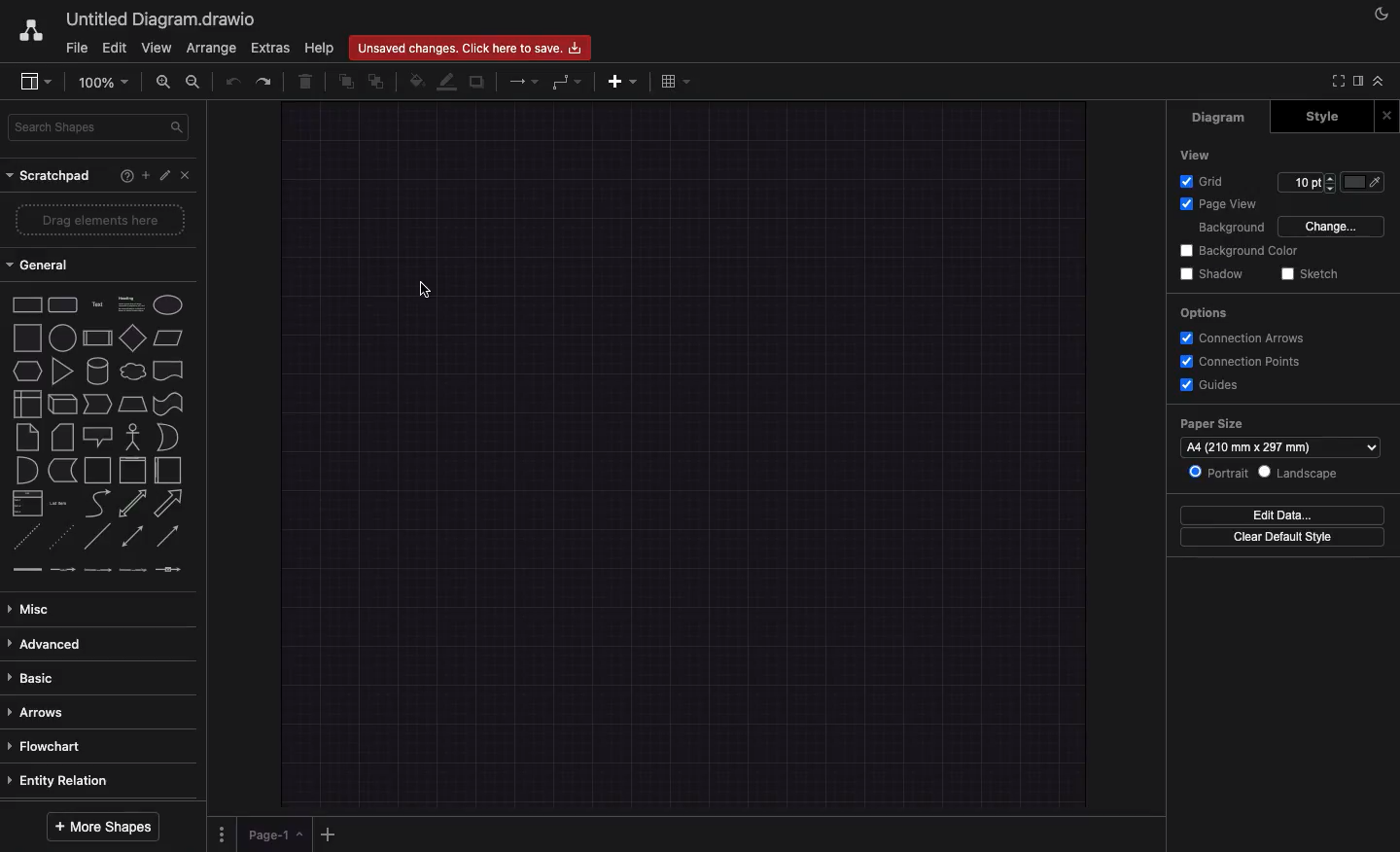 This screenshot has width=1400, height=852. I want to click on View, so click(156, 47).